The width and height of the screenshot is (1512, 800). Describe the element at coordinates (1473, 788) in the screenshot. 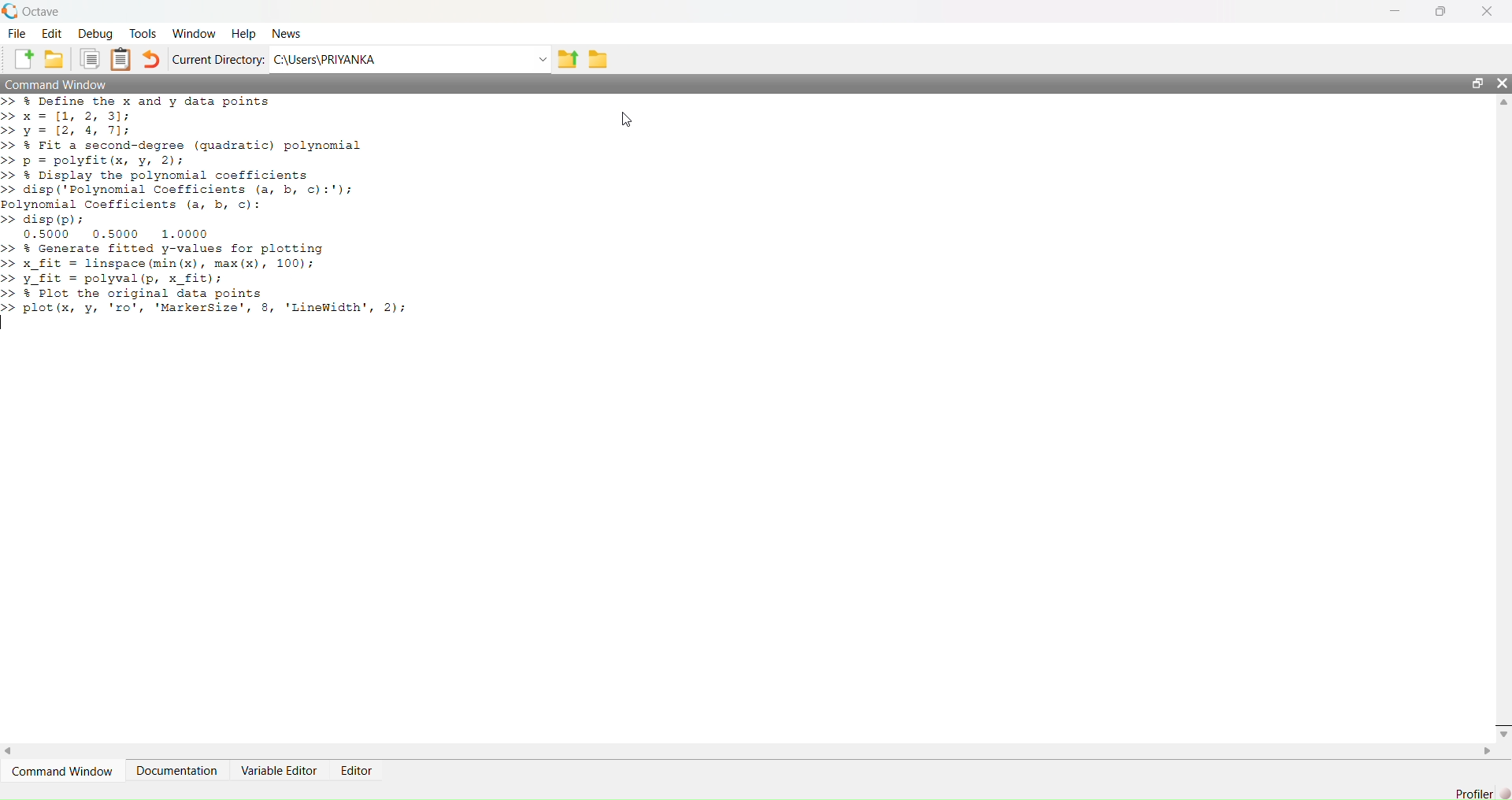

I see `Profiler` at that location.